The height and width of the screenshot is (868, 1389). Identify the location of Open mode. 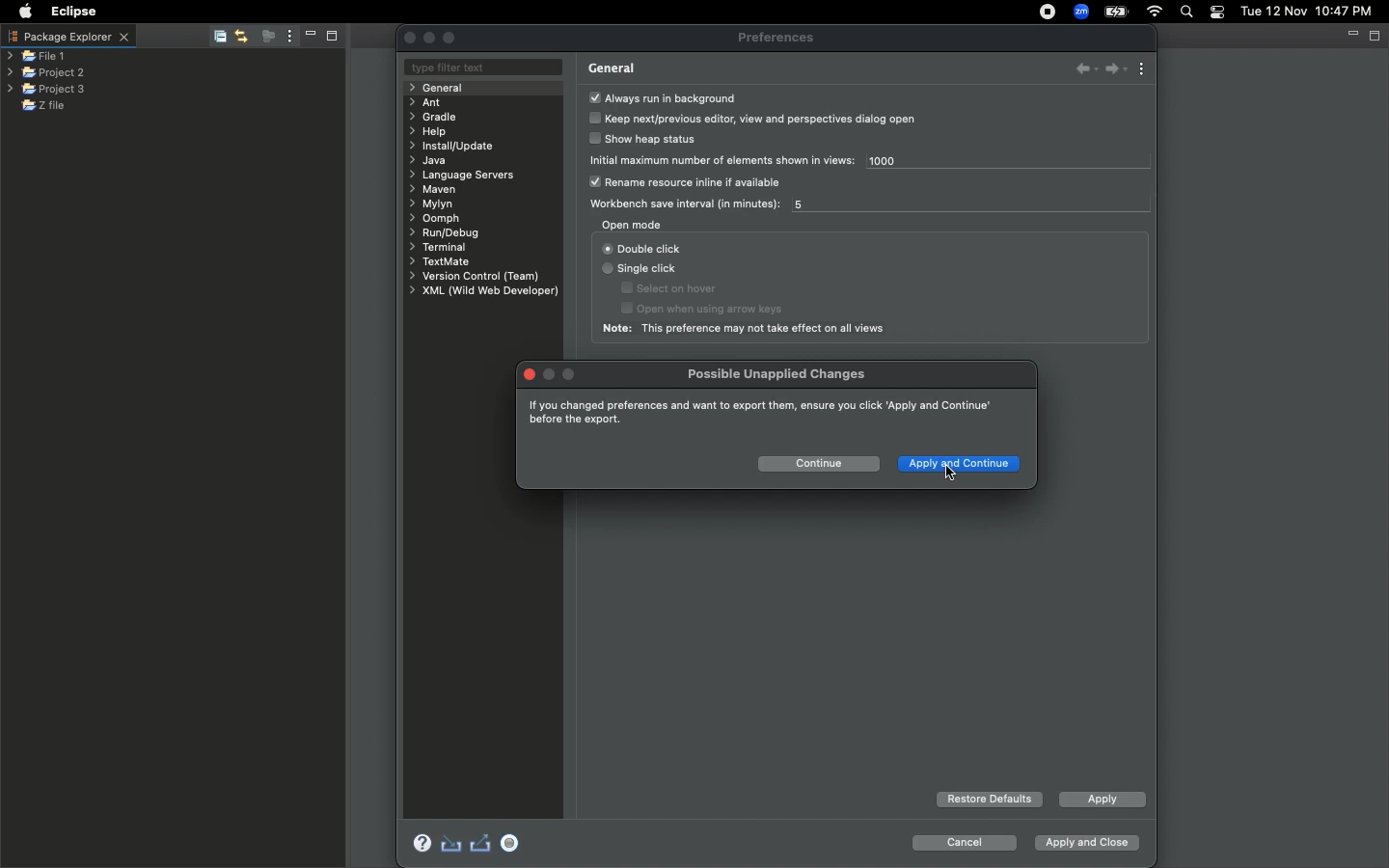
(632, 225).